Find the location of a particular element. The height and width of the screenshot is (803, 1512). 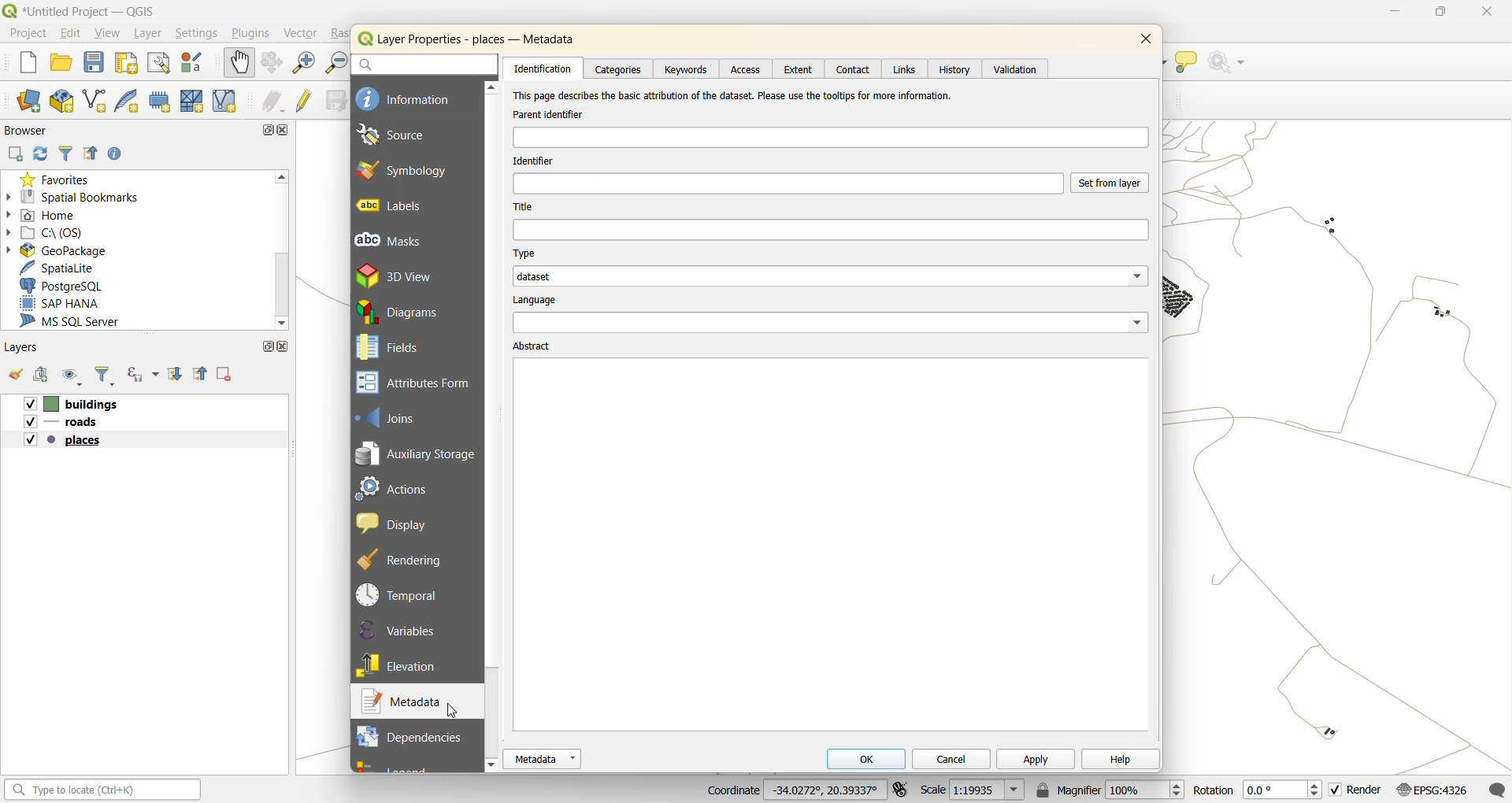

new spatialite is located at coordinates (132, 102).